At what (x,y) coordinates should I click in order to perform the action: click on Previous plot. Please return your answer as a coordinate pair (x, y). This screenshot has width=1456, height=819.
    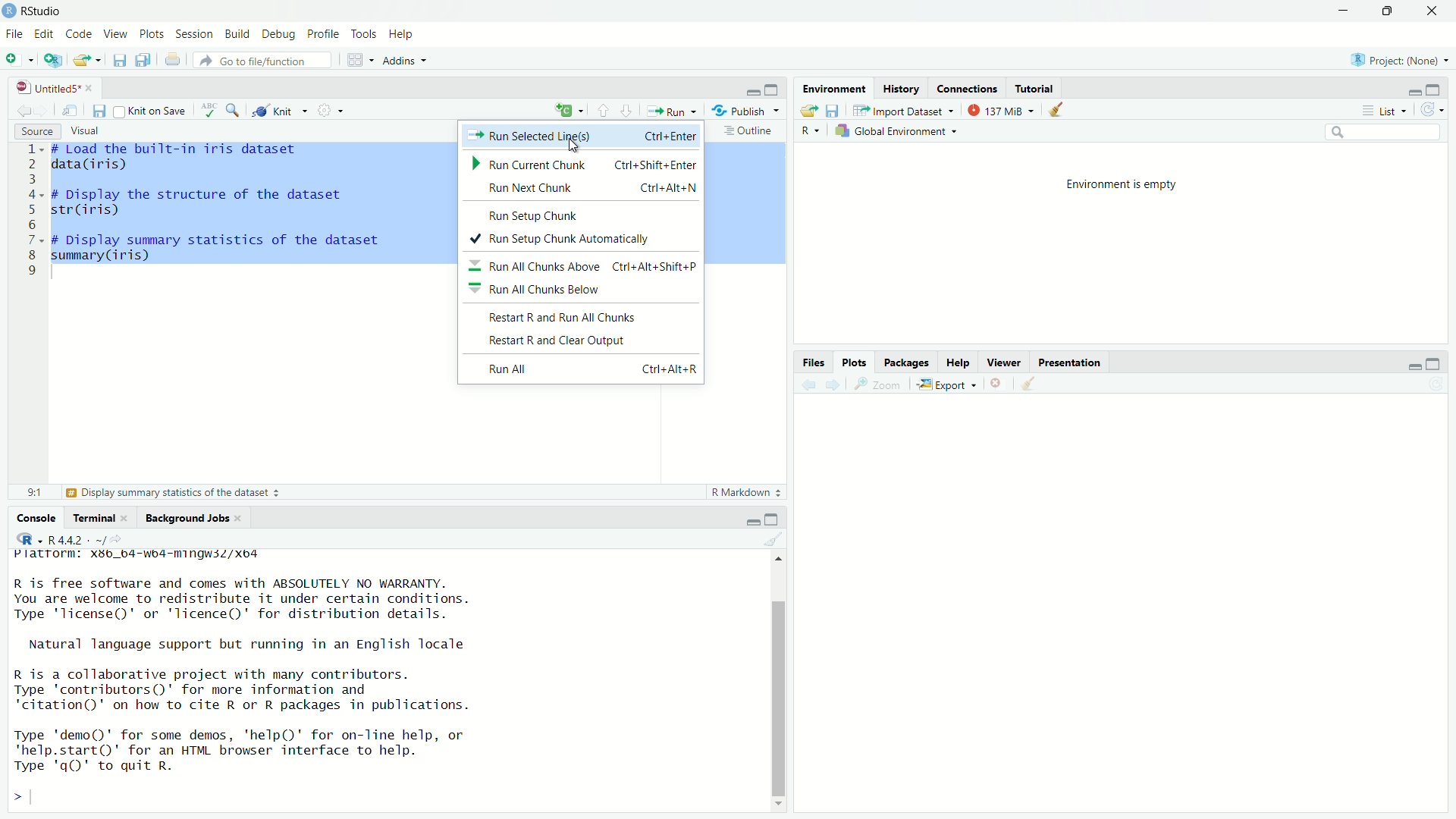
    Looking at the image, I should click on (808, 384).